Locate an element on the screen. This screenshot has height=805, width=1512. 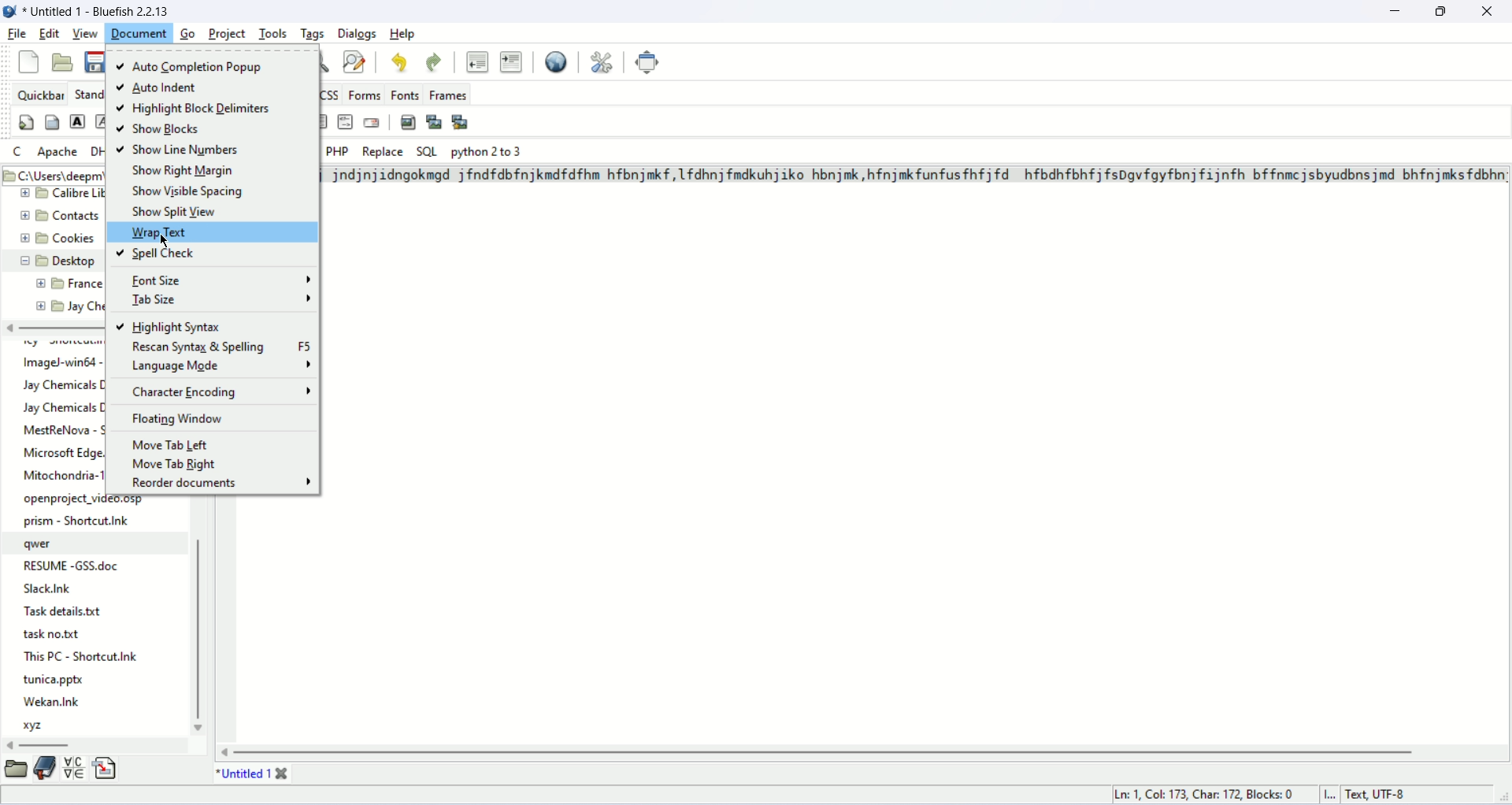
indent is located at coordinates (513, 62).